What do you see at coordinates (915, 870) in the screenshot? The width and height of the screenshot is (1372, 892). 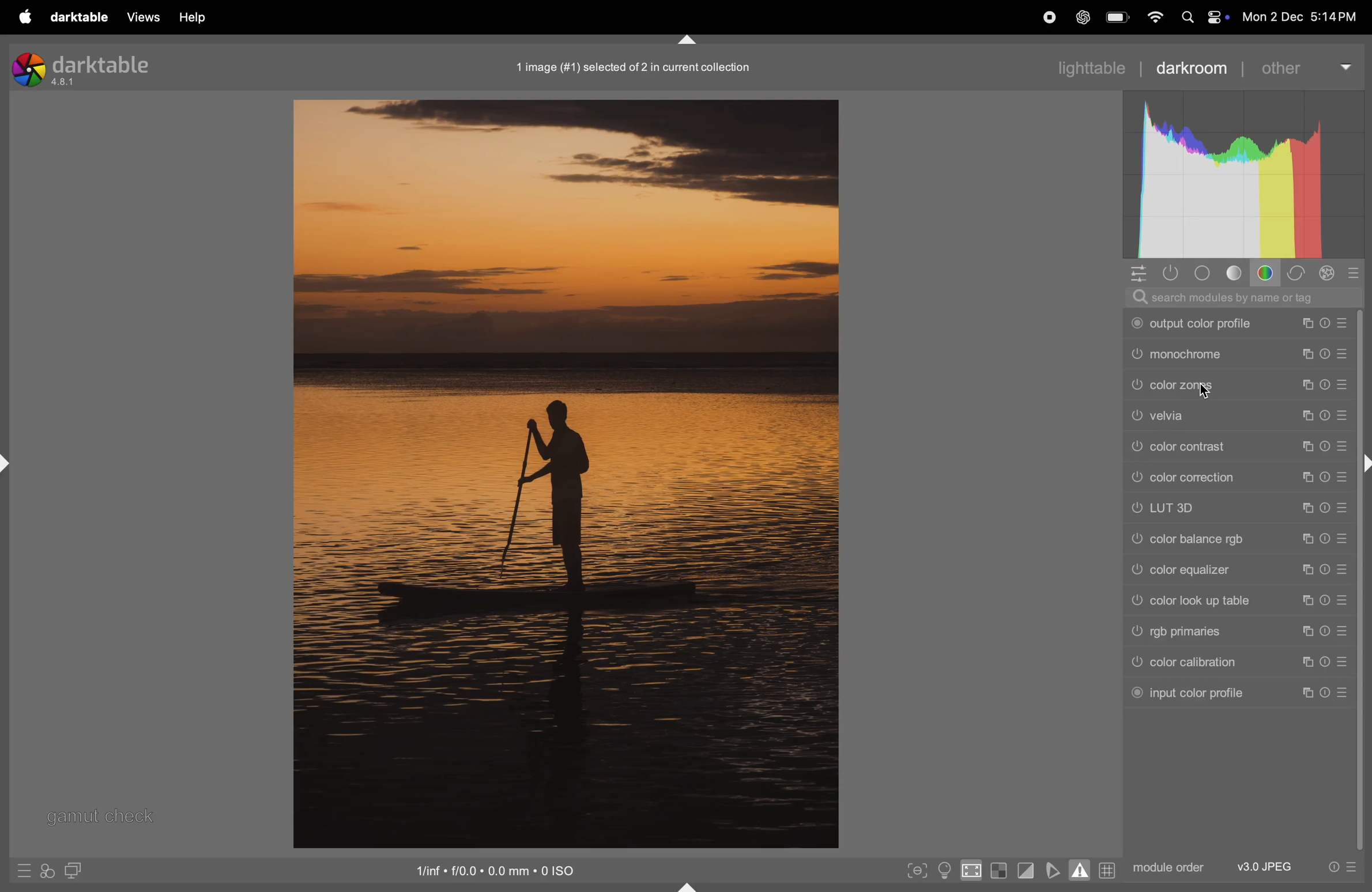 I see `toggle peak focusing mode` at bounding box center [915, 870].